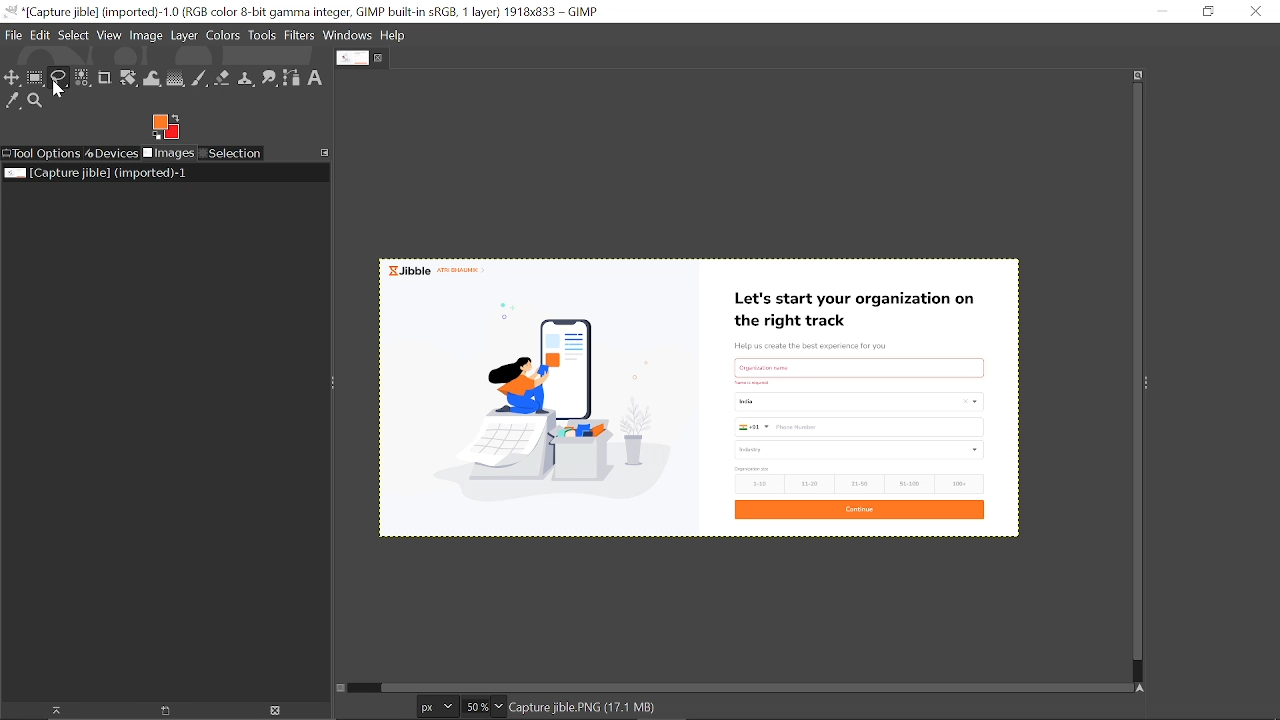  Describe the element at coordinates (230, 154) in the screenshot. I see `Selection` at that location.